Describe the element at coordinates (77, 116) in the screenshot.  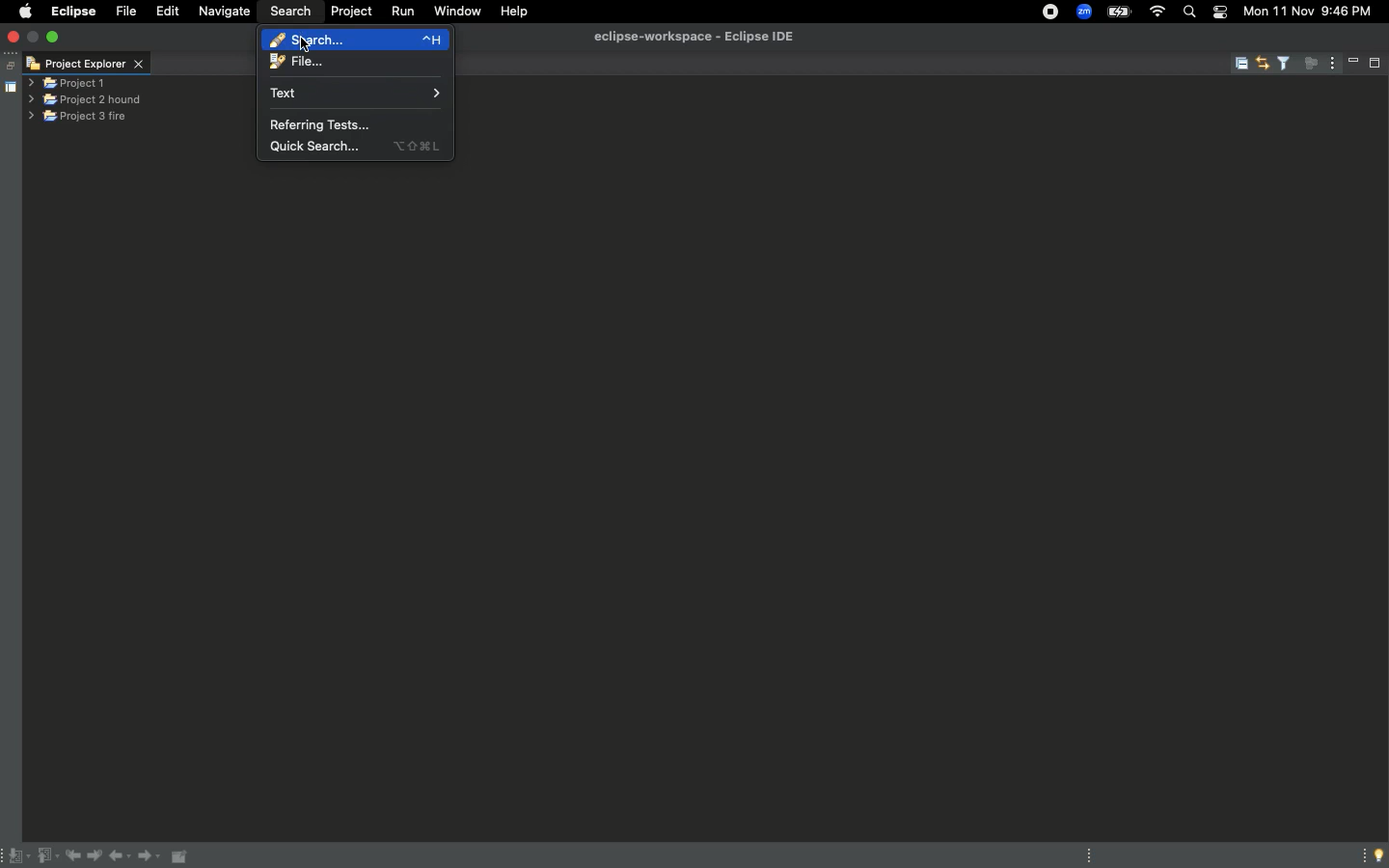
I see `Project 3 fire` at that location.